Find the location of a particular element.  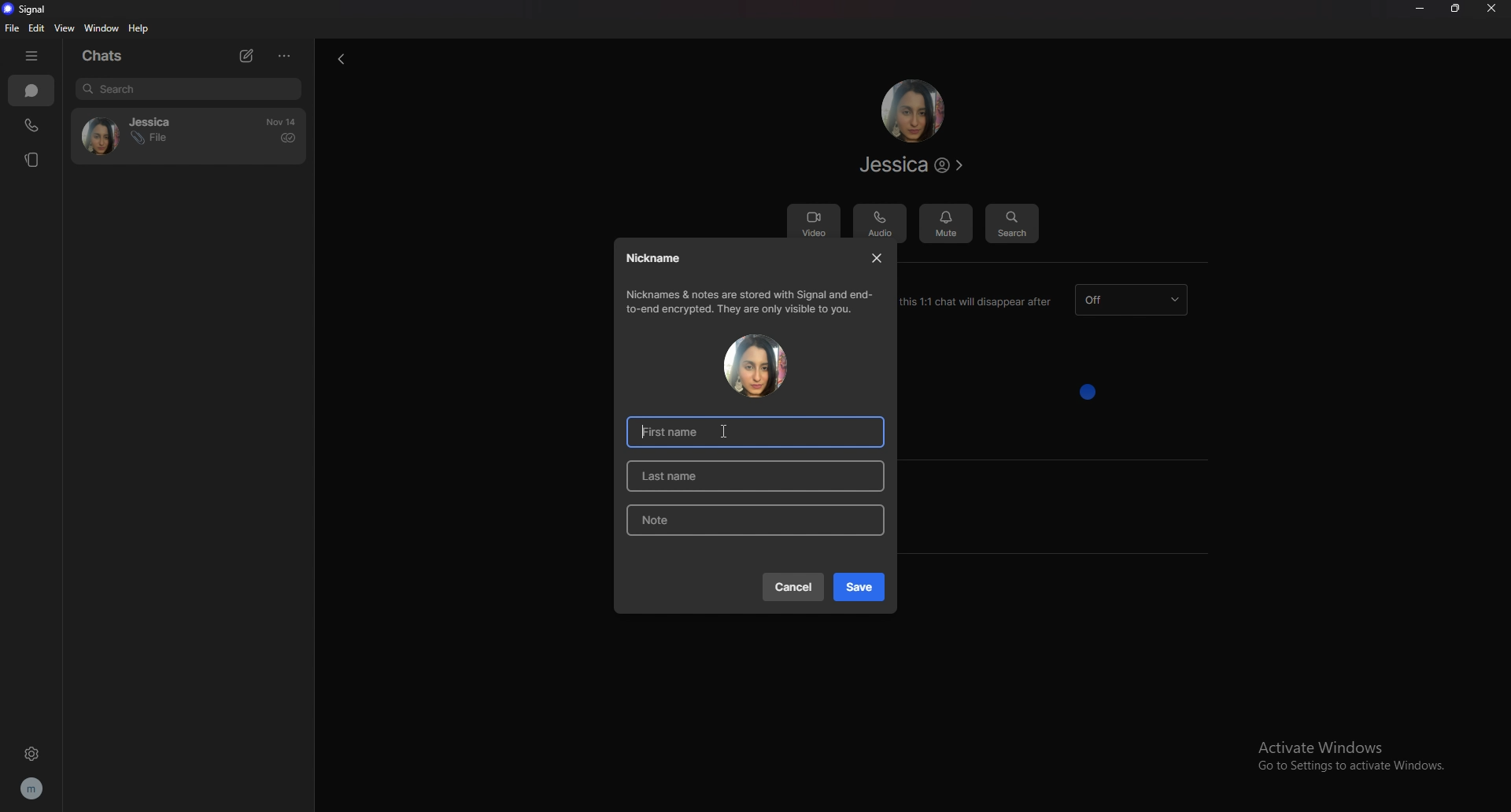

nickname is located at coordinates (656, 258).